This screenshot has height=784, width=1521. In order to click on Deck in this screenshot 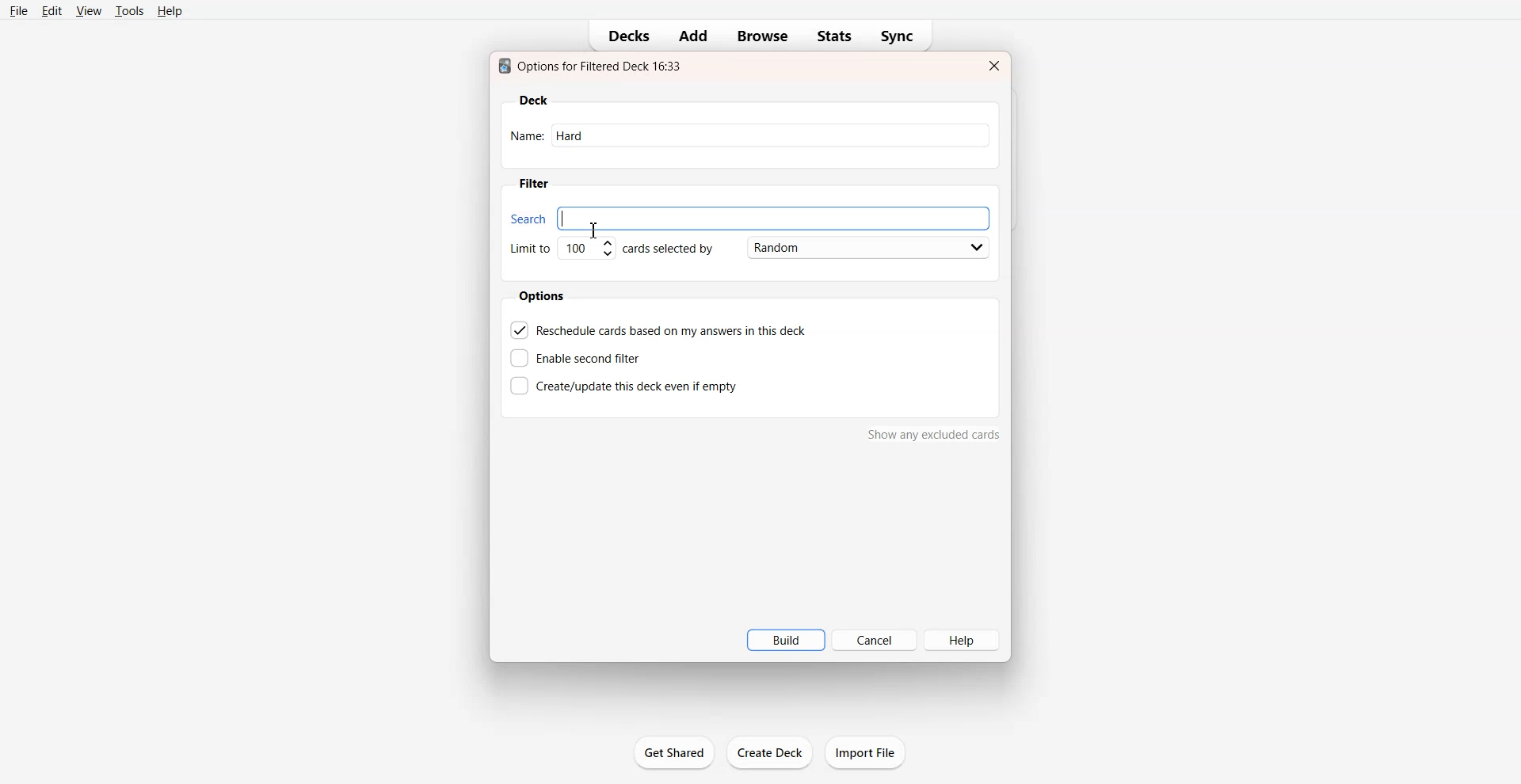, I will do `click(534, 101)`.